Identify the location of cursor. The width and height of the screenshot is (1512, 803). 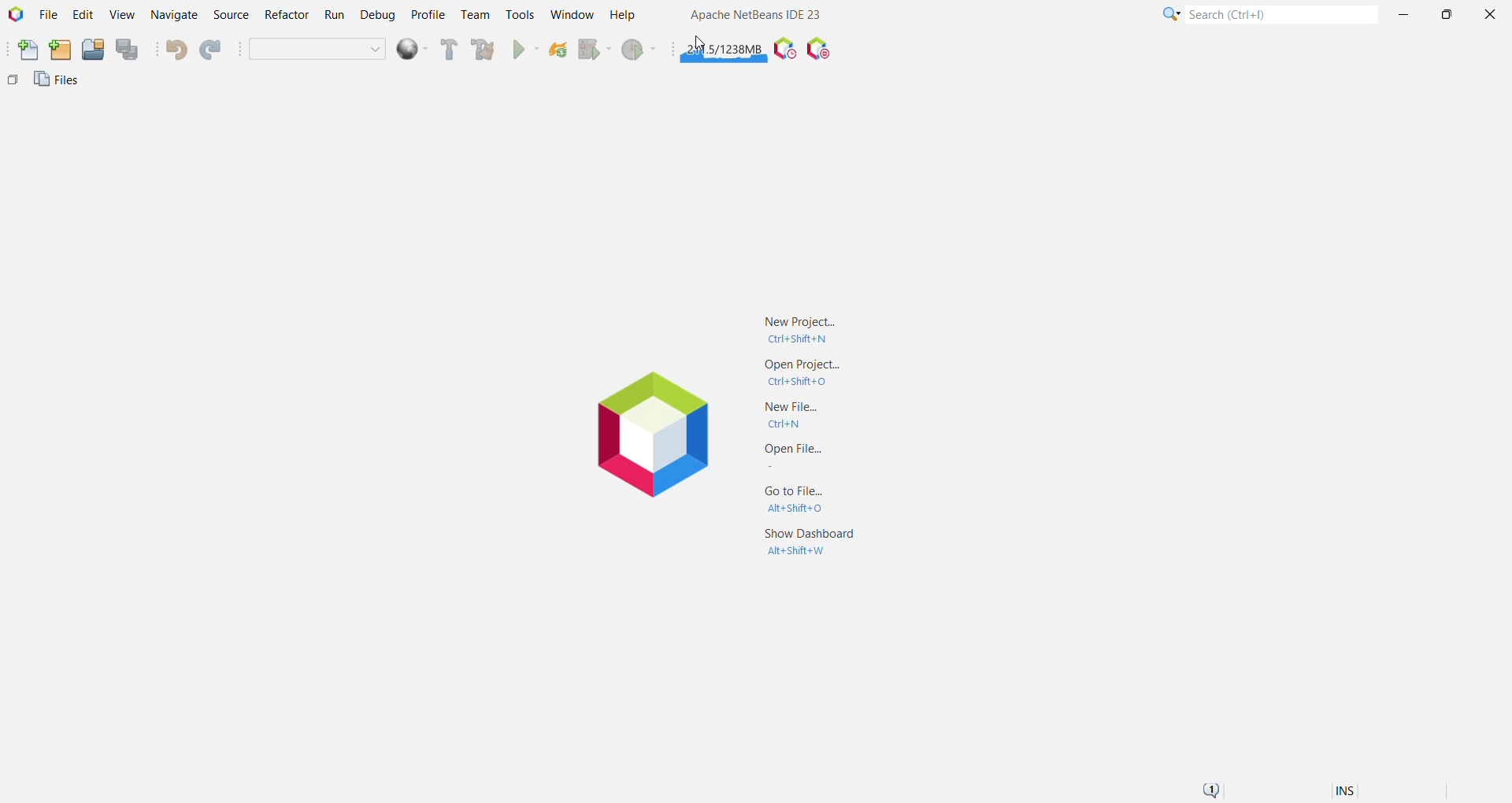
(520, 20).